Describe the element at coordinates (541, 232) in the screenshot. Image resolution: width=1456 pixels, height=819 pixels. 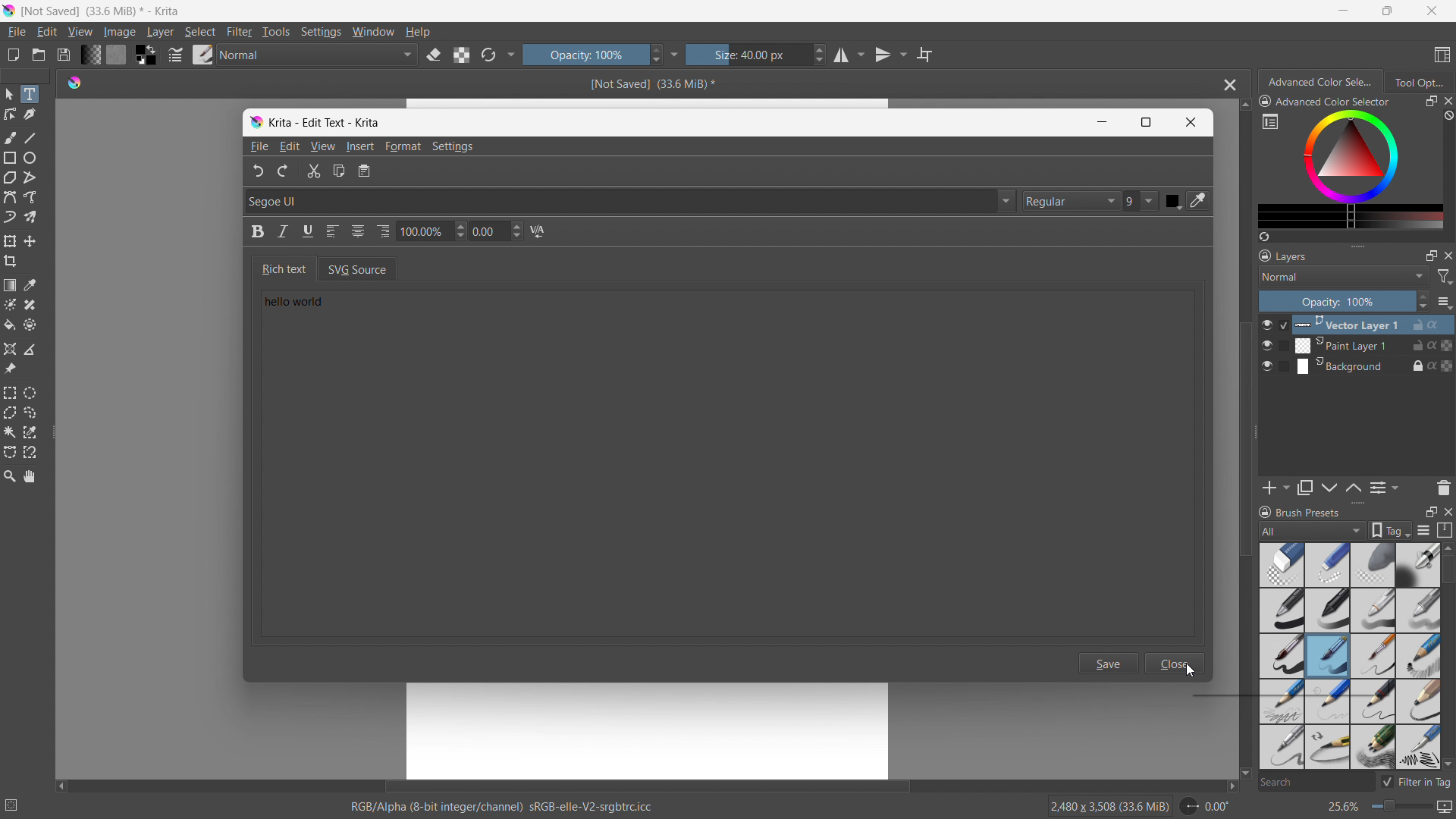
I see `N/A` at that location.